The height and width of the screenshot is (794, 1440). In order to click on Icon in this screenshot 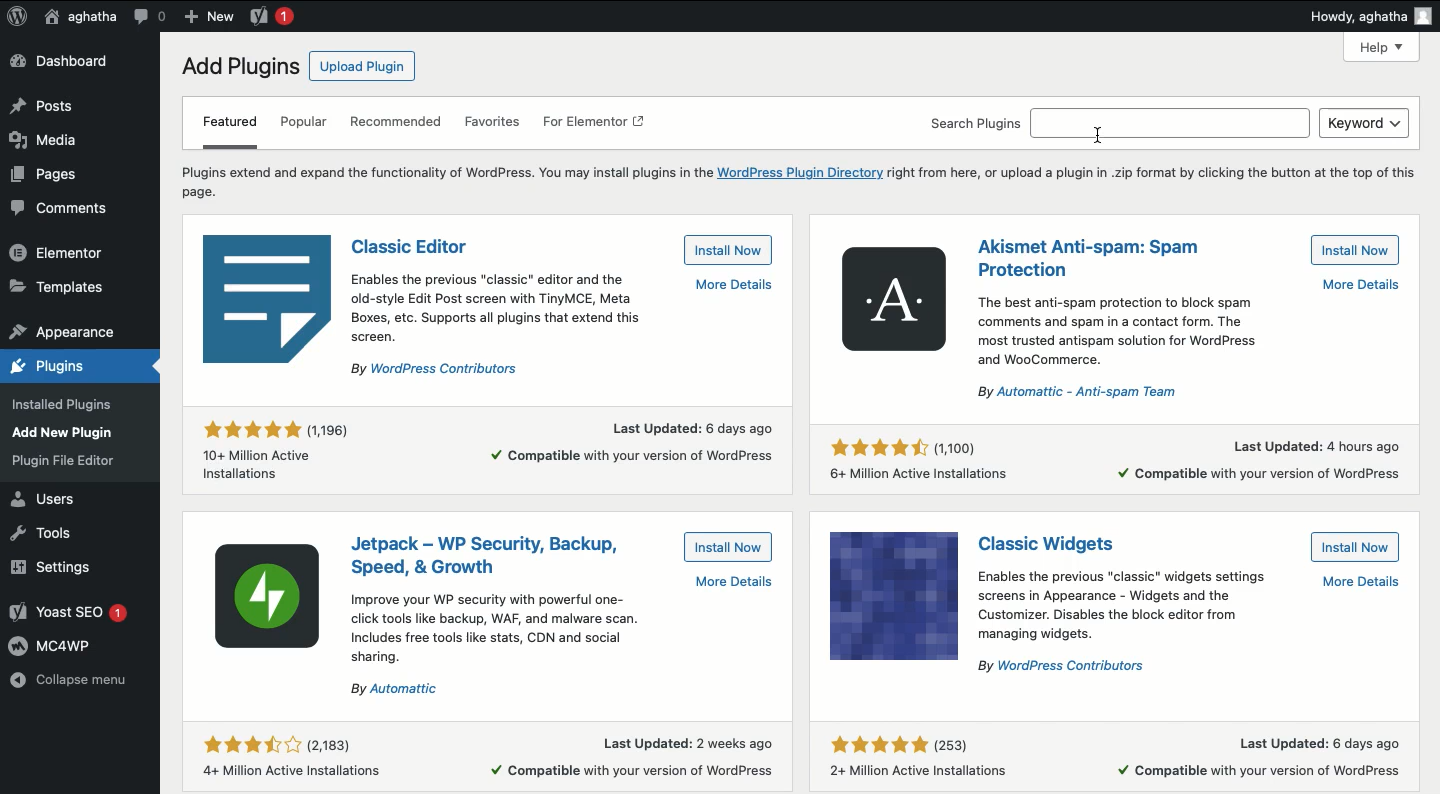, I will do `click(893, 299)`.